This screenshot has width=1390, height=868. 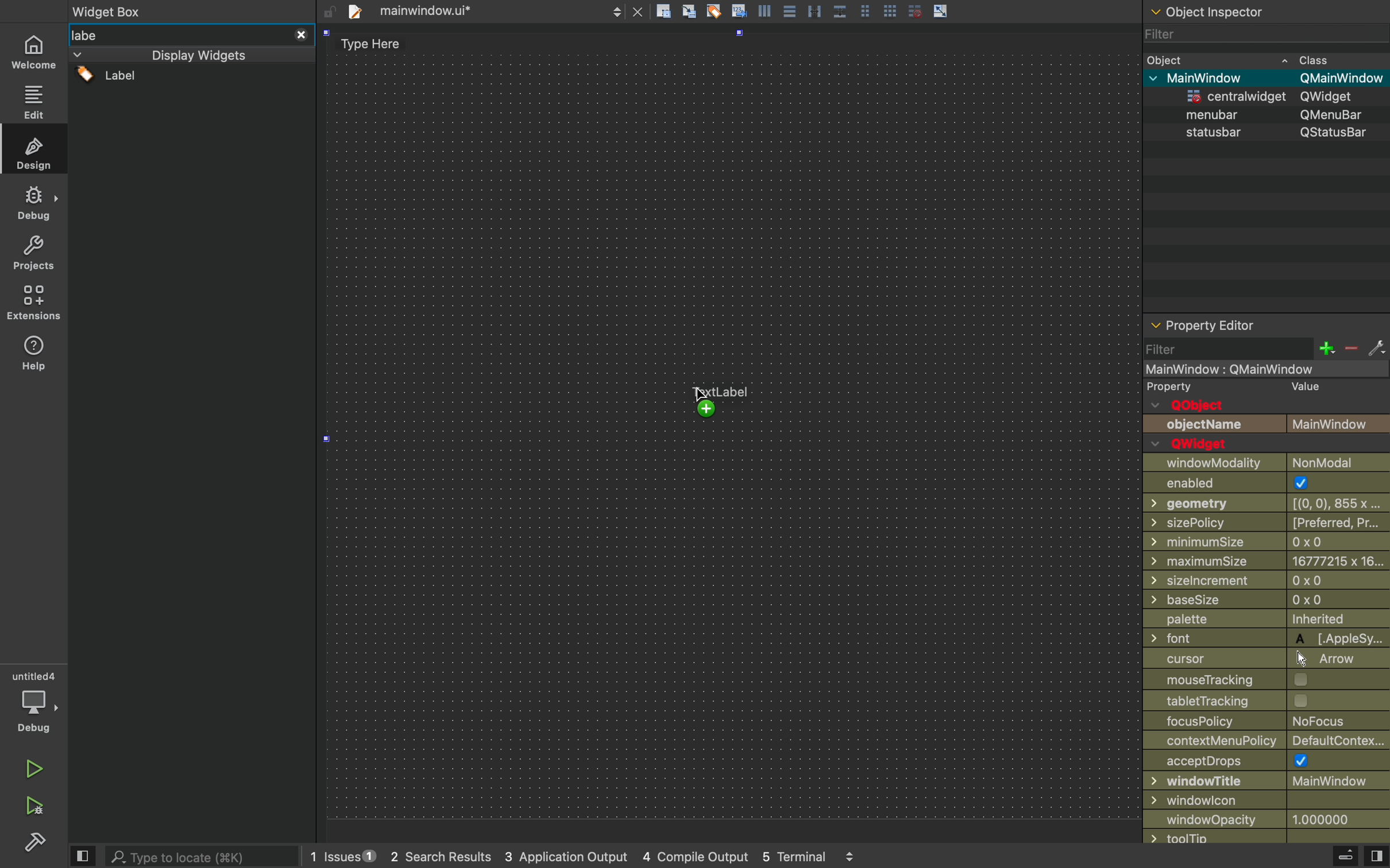 What do you see at coordinates (30, 843) in the screenshot?
I see `settingd` at bounding box center [30, 843].